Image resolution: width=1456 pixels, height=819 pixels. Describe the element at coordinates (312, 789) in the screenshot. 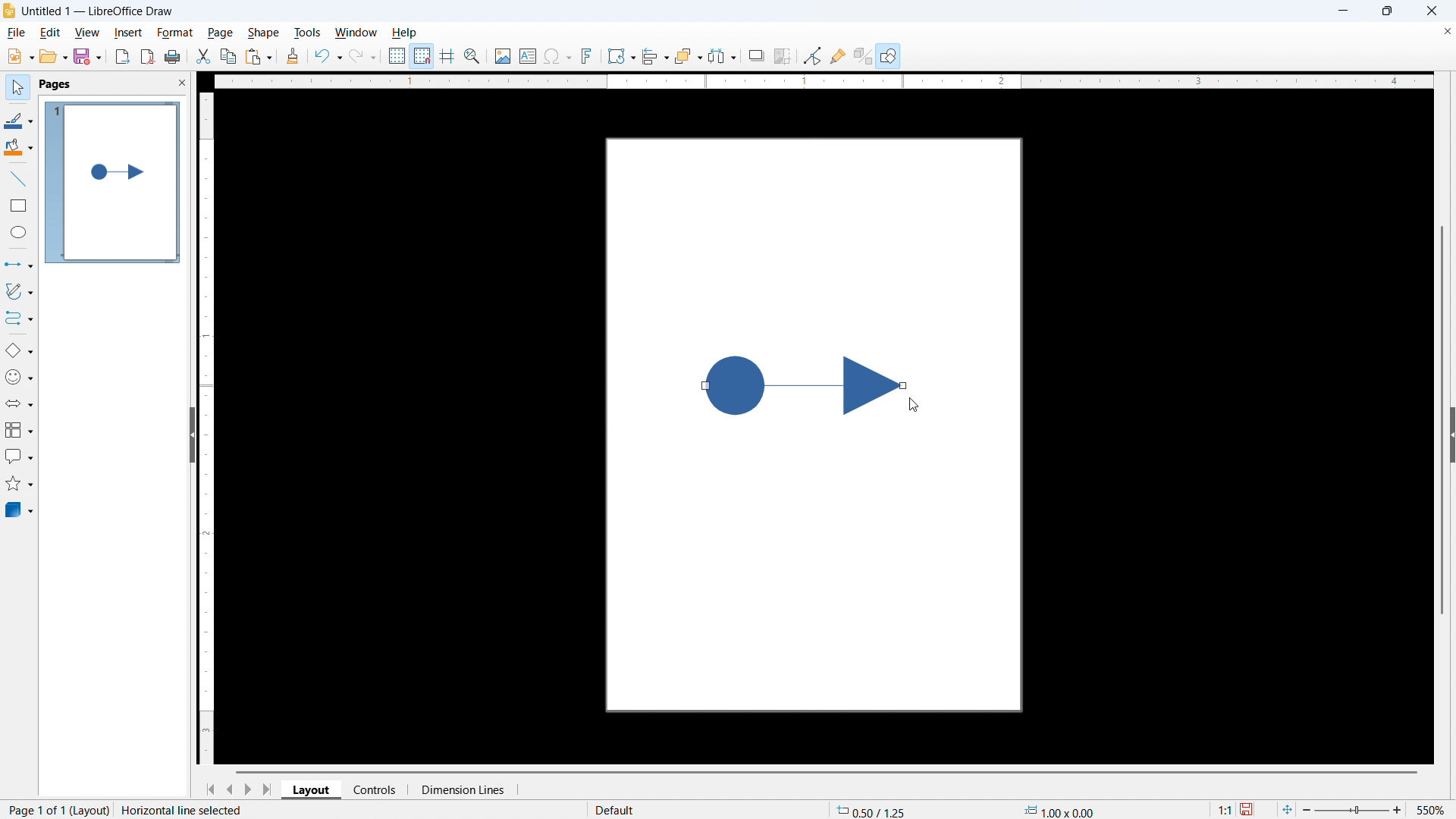

I see `Layout ` at that location.